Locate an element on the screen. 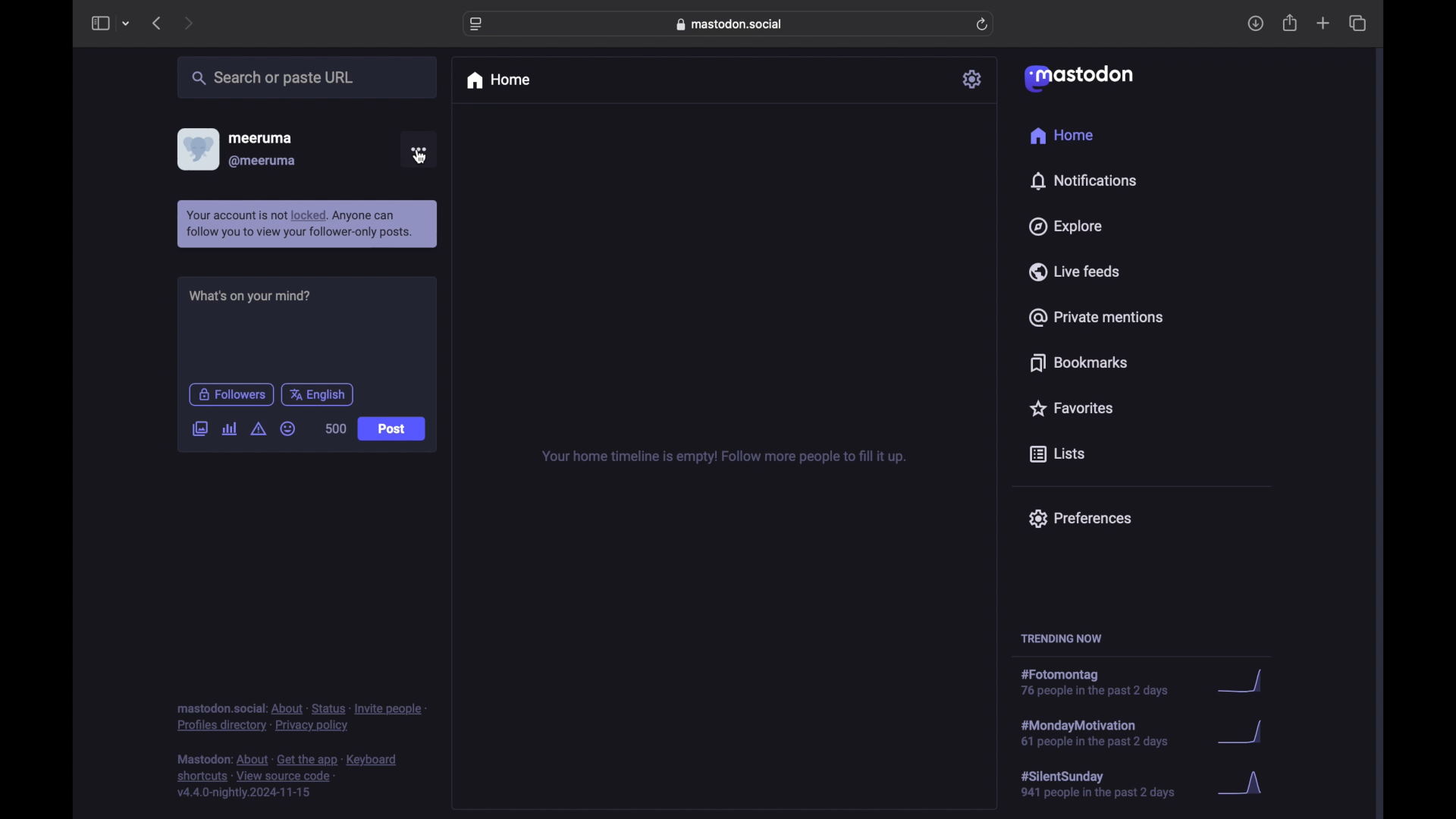 This screenshot has width=1456, height=819. your home timeline is empty! follow more people to fill it up is located at coordinates (725, 457).